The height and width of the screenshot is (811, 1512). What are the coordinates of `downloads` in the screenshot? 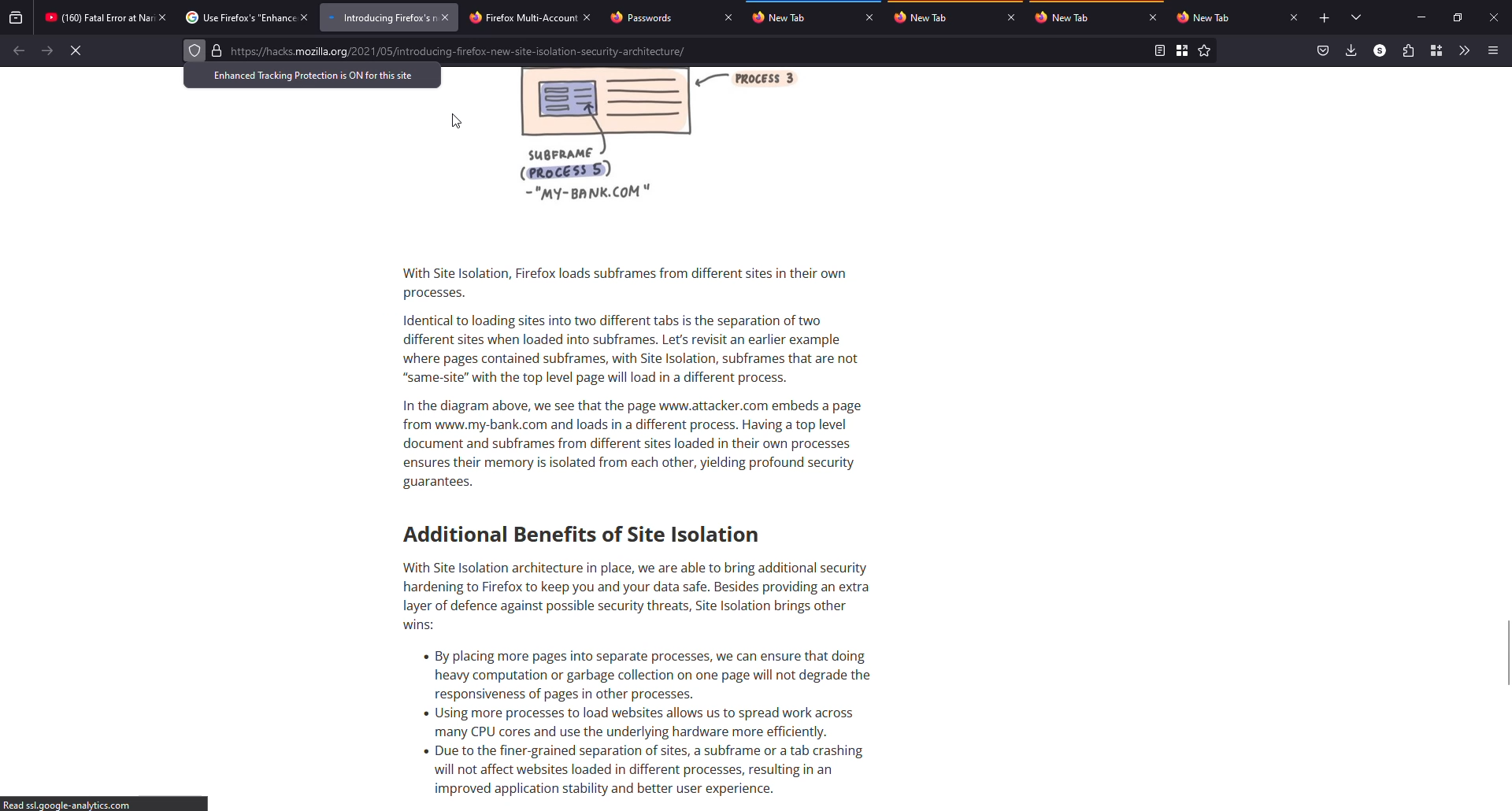 It's located at (1351, 50).